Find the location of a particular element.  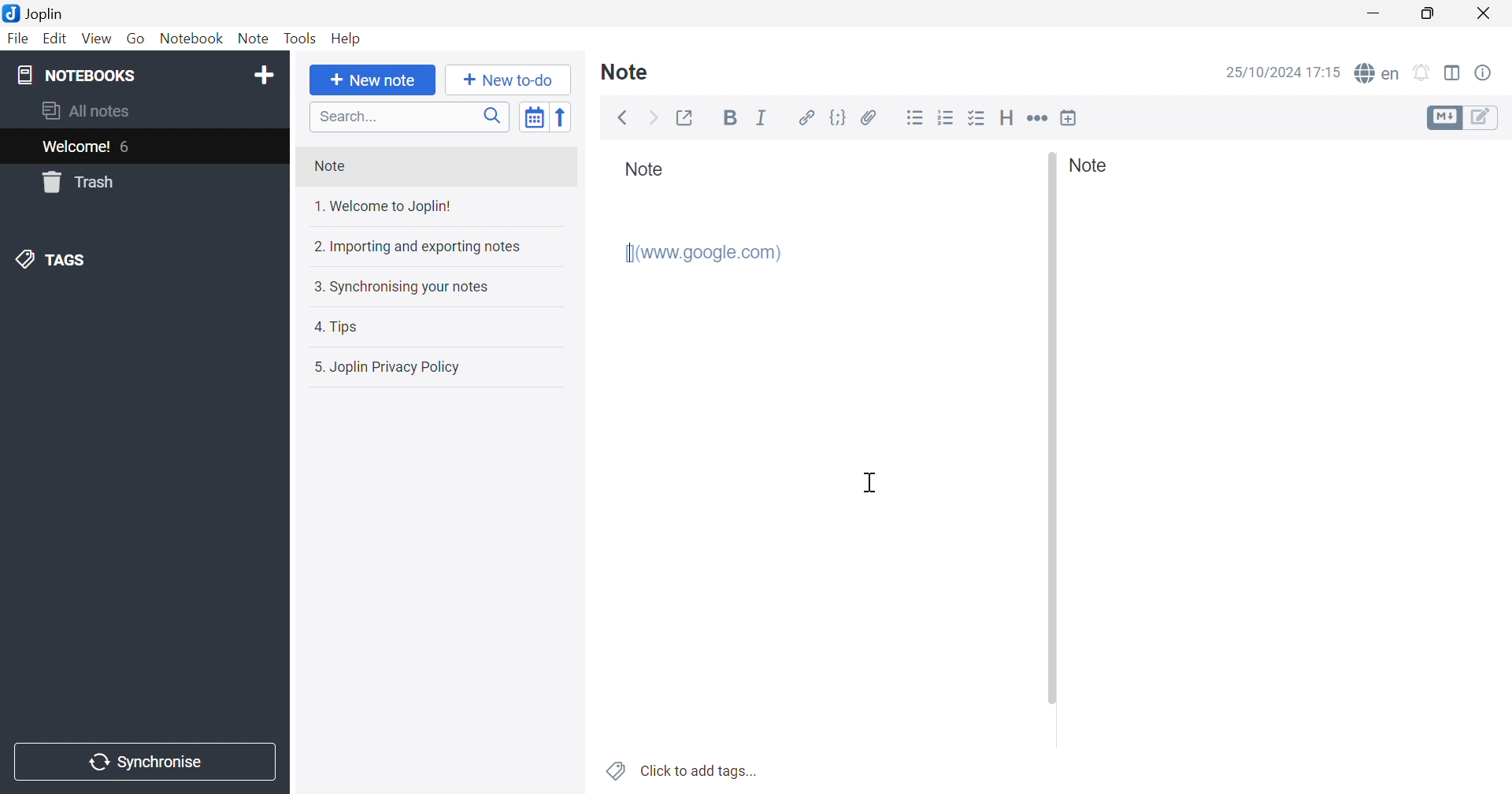

View is located at coordinates (97, 39).